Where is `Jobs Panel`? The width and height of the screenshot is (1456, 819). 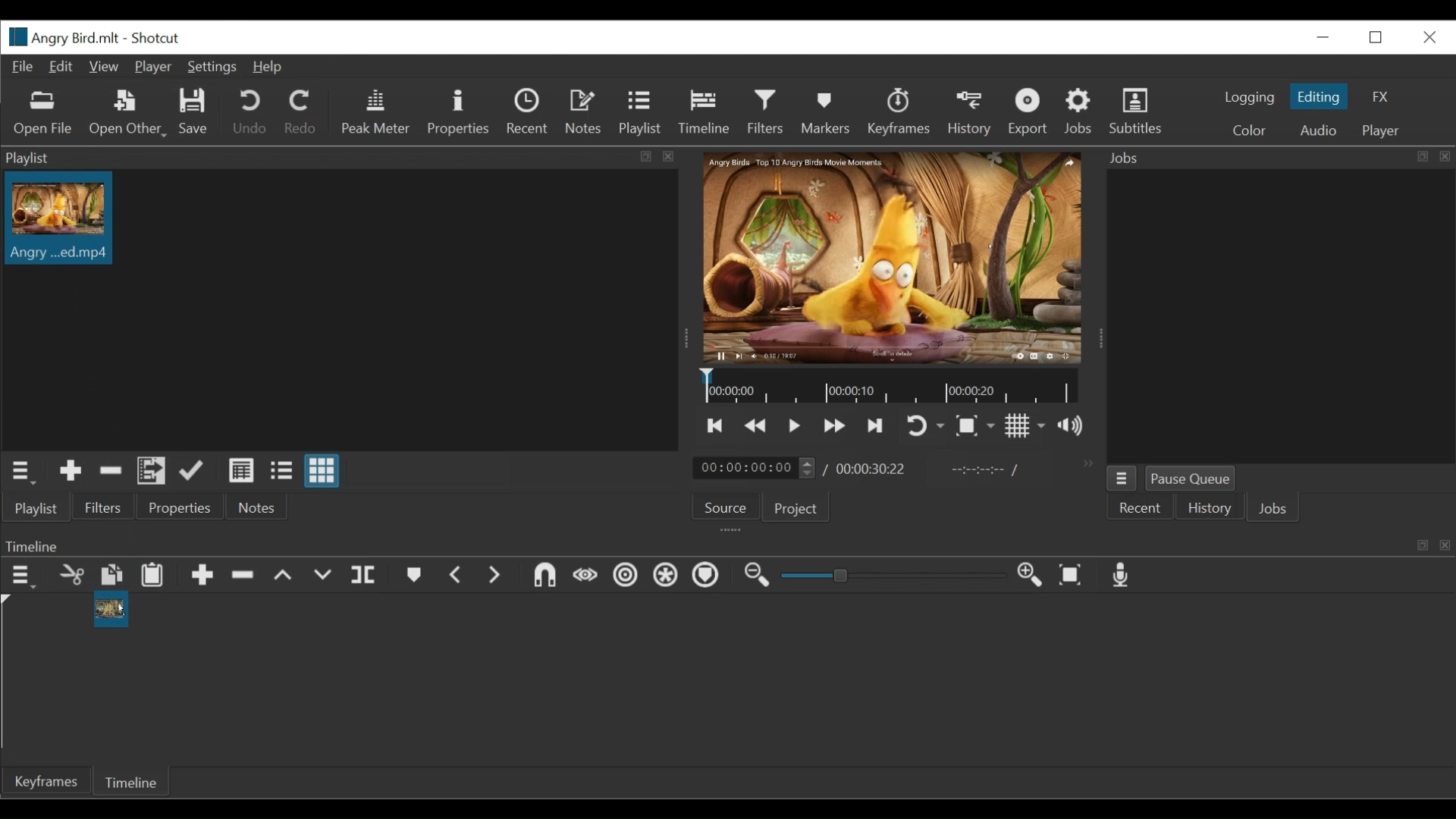 Jobs Panel is located at coordinates (1279, 158).